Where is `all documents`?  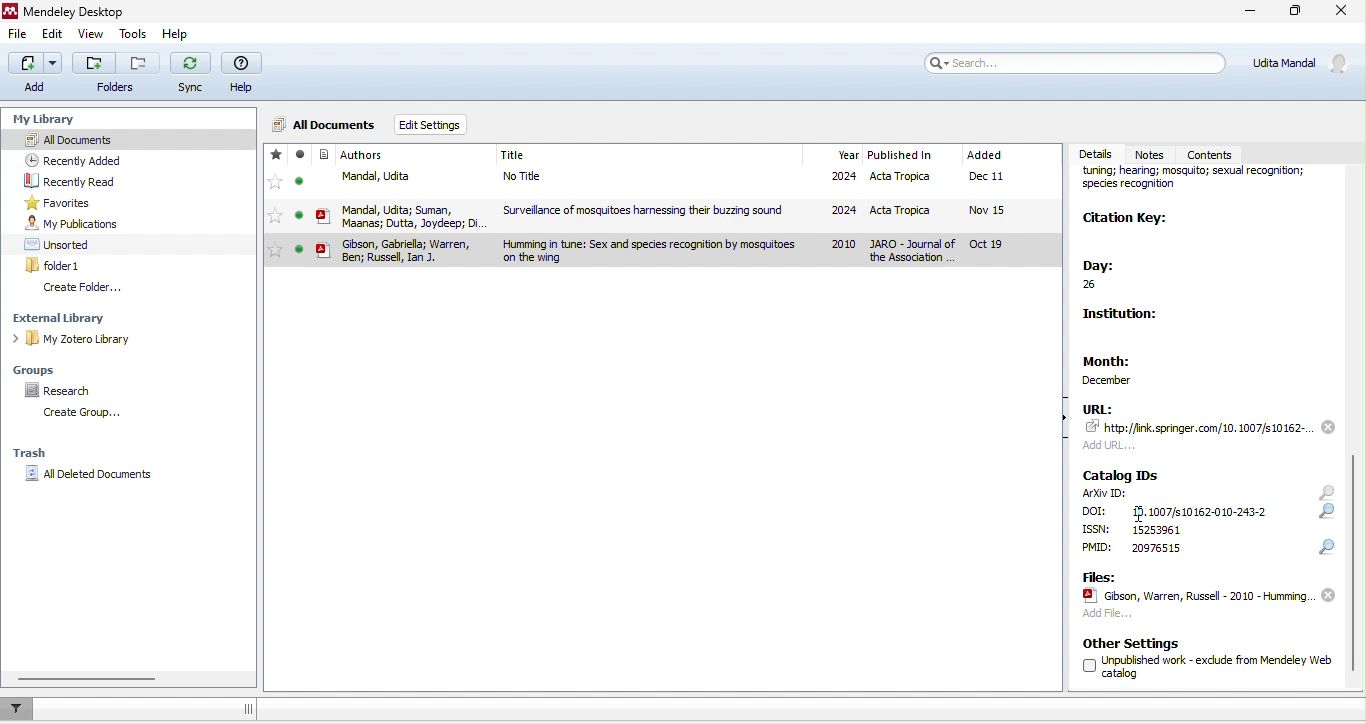 all documents is located at coordinates (325, 122).